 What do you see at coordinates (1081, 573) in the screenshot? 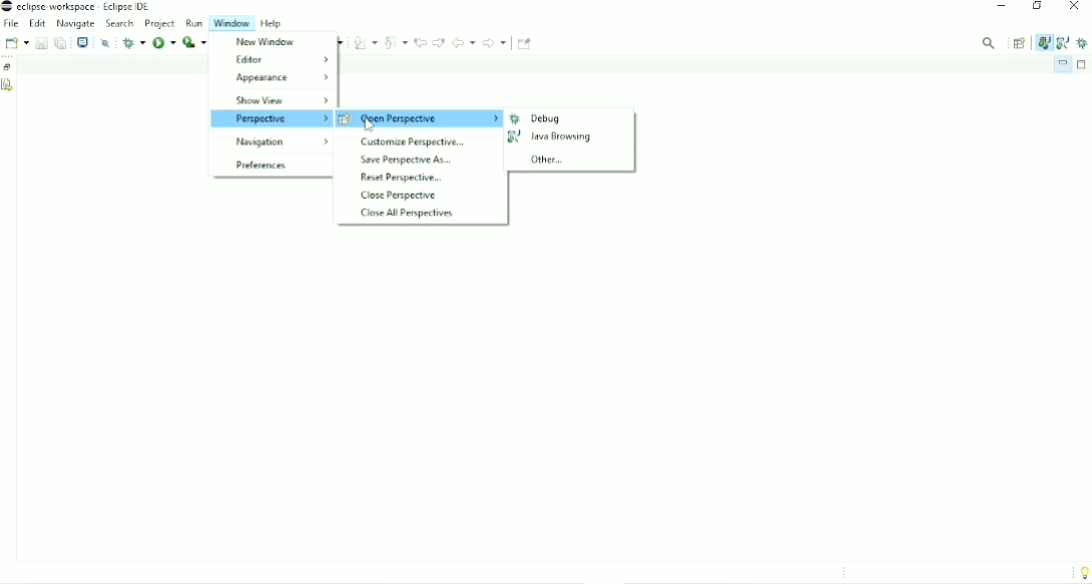
I see `Tip` at bounding box center [1081, 573].